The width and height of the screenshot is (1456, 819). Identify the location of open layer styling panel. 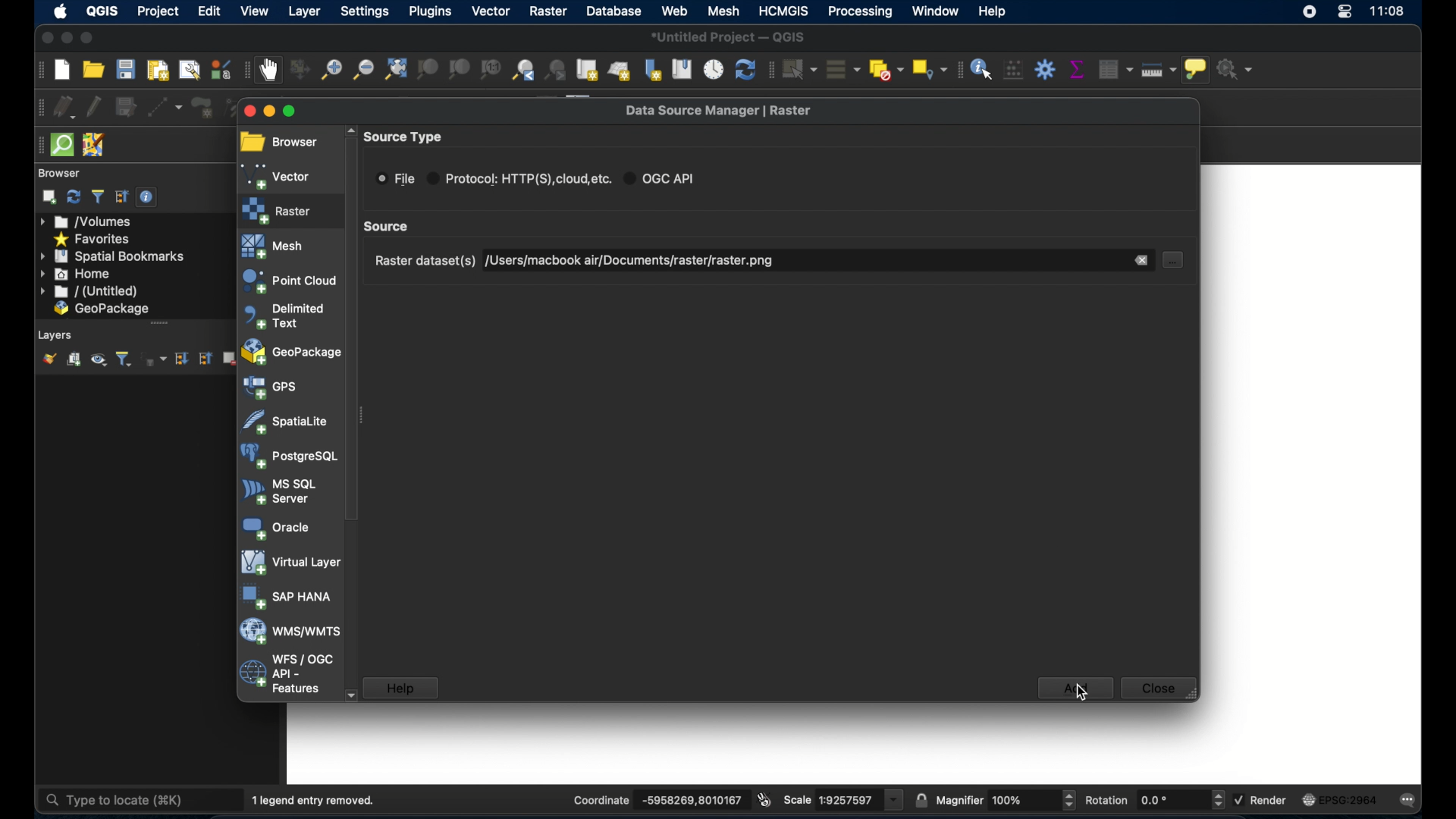
(49, 358).